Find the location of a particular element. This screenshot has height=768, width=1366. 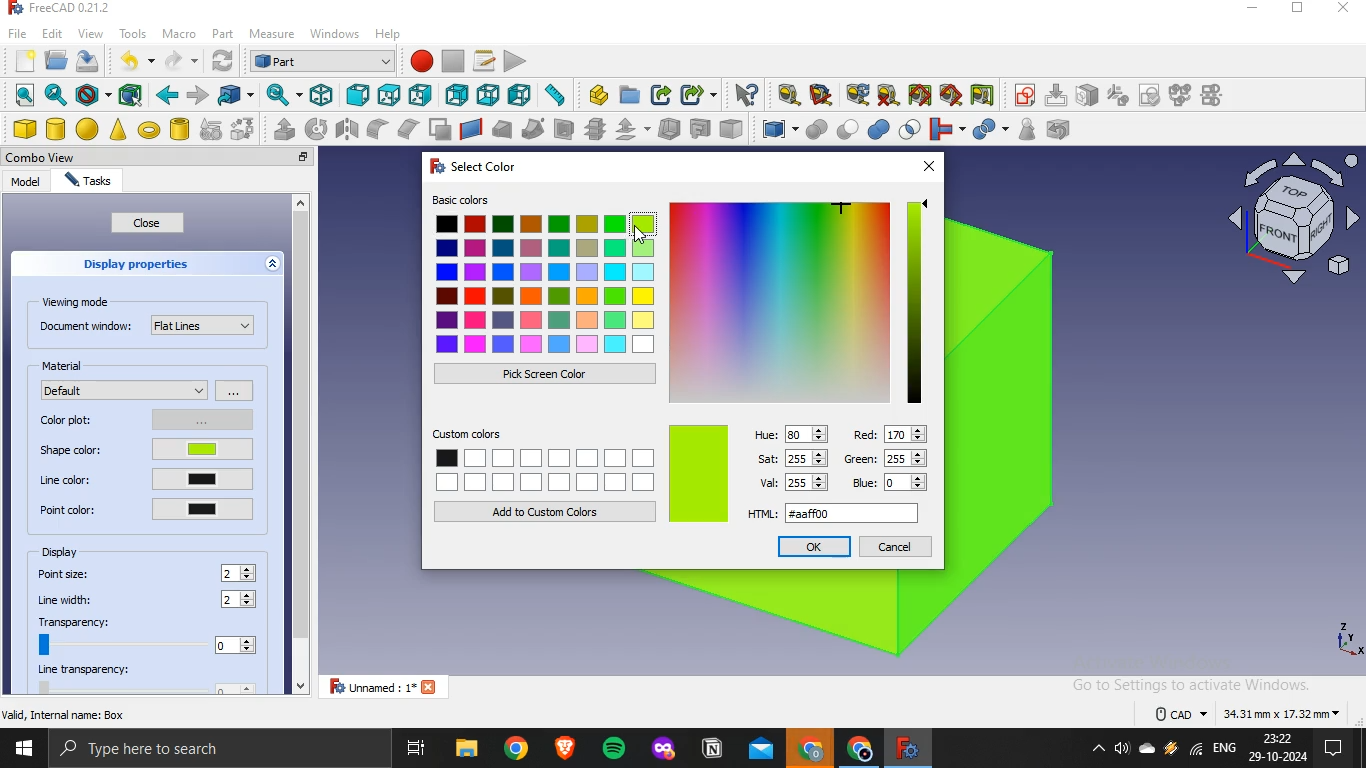

show hidden icons is located at coordinates (1094, 750).